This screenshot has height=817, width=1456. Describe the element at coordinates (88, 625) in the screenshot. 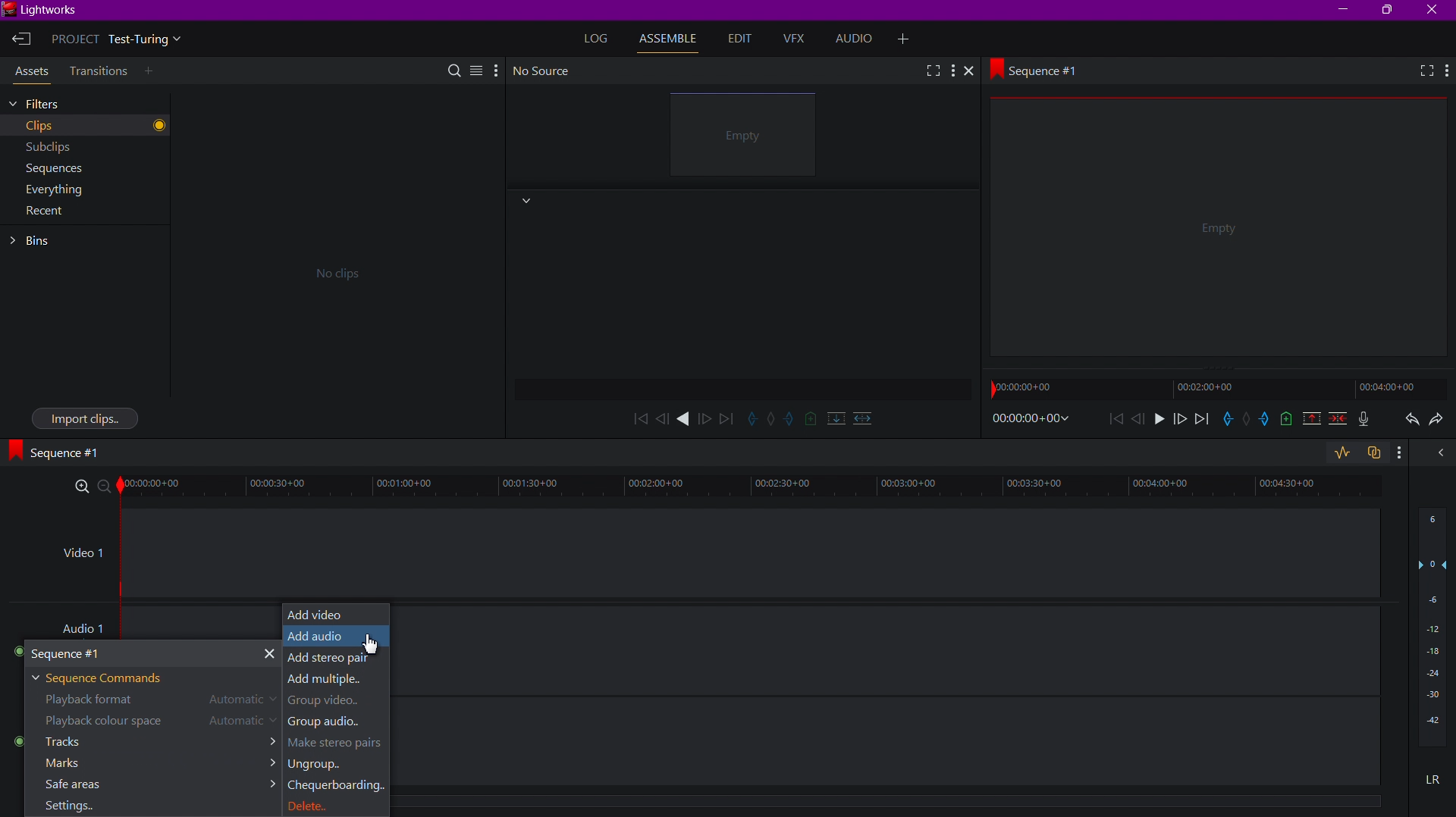

I see `audio 1` at that location.